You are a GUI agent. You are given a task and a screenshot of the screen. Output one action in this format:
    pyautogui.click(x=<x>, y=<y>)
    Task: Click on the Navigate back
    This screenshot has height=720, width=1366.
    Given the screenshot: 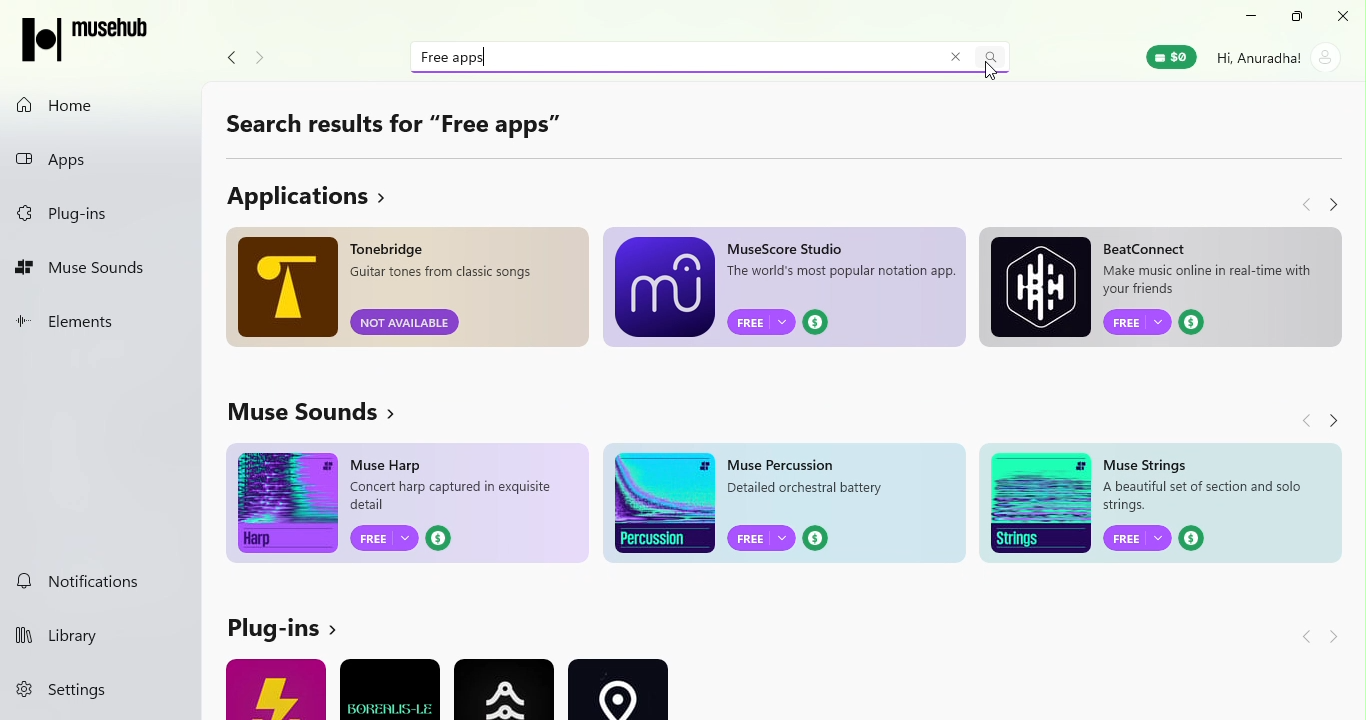 What is the action you would take?
    pyautogui.click(x=227, y=58)
    